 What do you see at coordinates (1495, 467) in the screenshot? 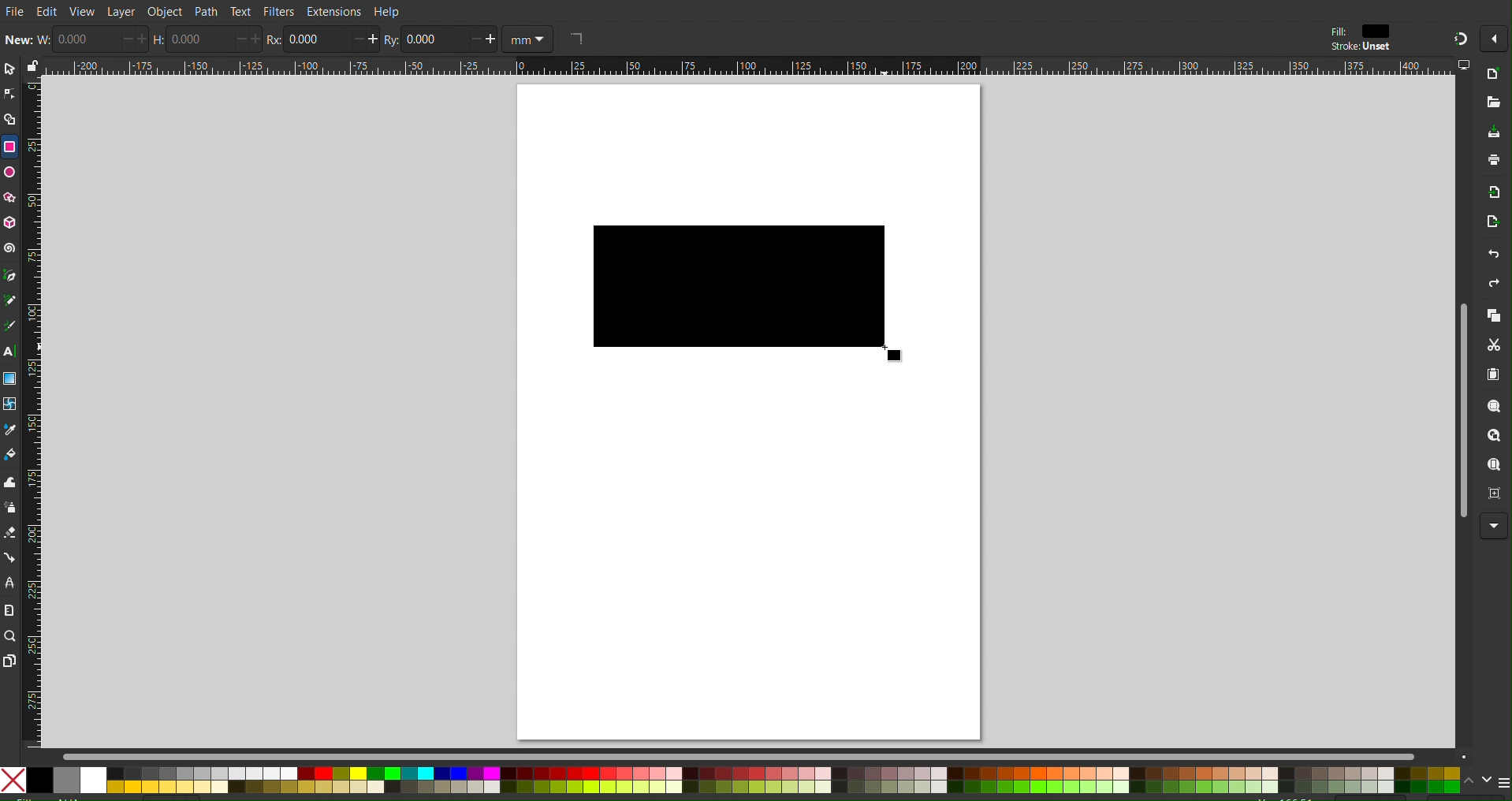
I see `Zoom Page` at bounding box center [1495, 467].